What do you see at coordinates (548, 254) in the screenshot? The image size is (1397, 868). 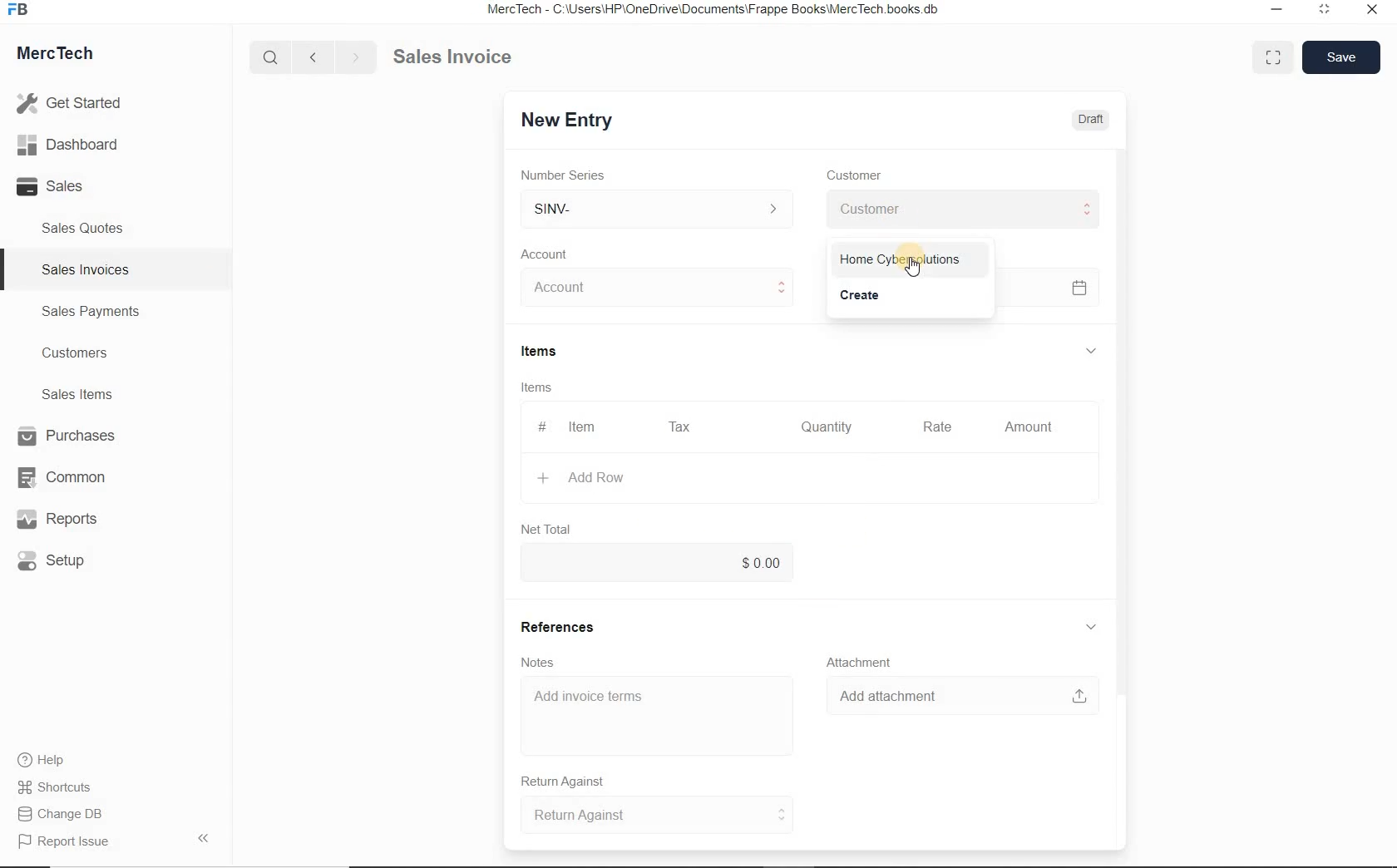 I see `Account` at bounding box center [548, 254].